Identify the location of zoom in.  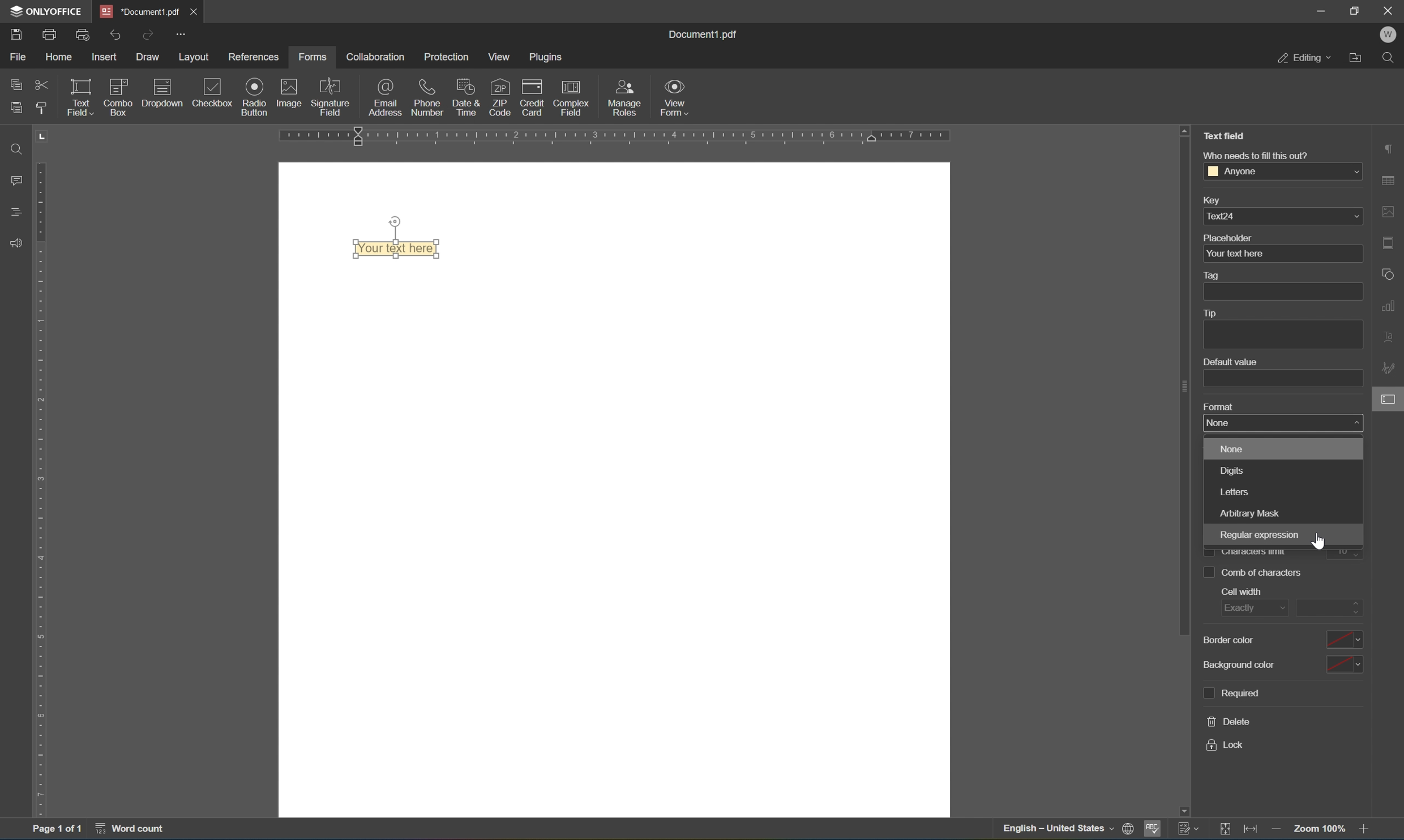
(1368, 830).